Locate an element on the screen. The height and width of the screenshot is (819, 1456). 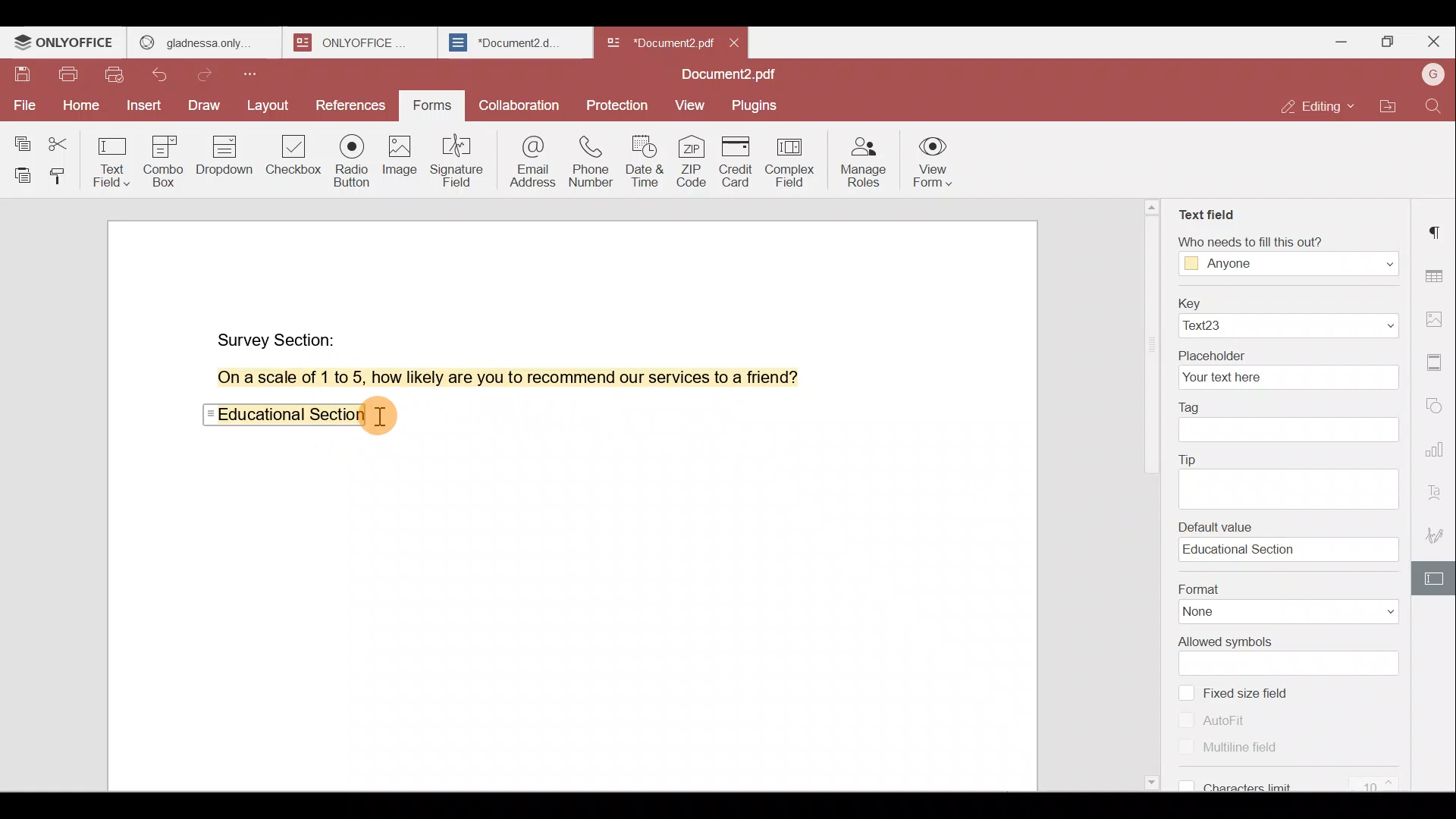
On a scale of 1 to 5, how likely are you to recommend our services to a friend? is located at coordinates (491, 378).